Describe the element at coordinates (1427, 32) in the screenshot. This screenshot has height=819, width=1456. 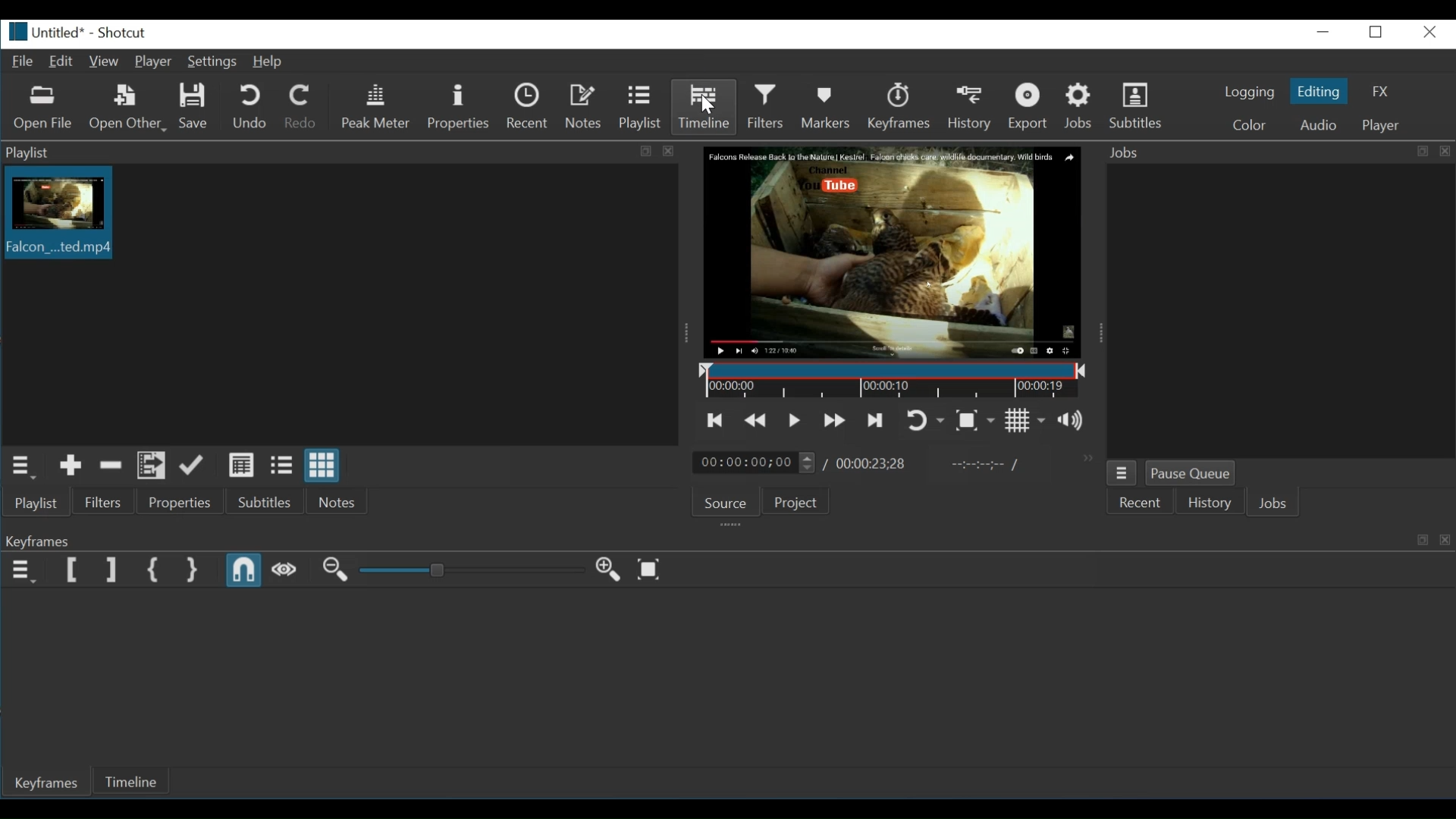
I see `Close` at that location.